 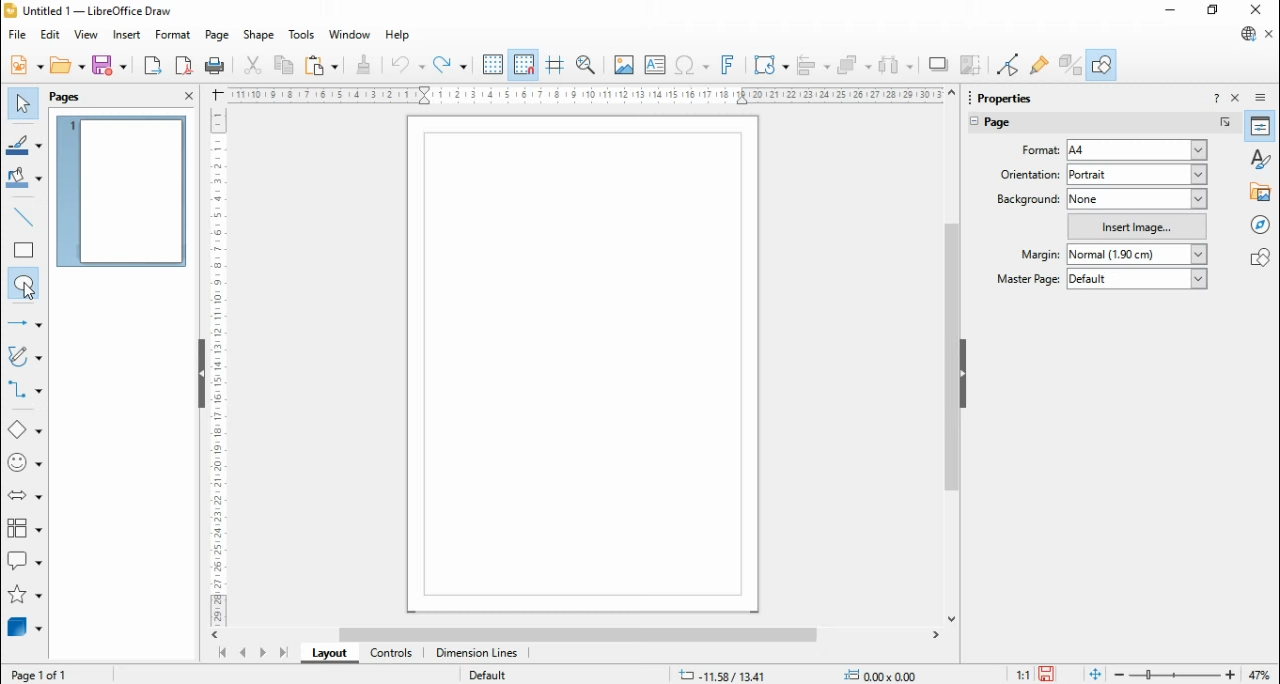 I want to click on page, so click(x=218, y=35).